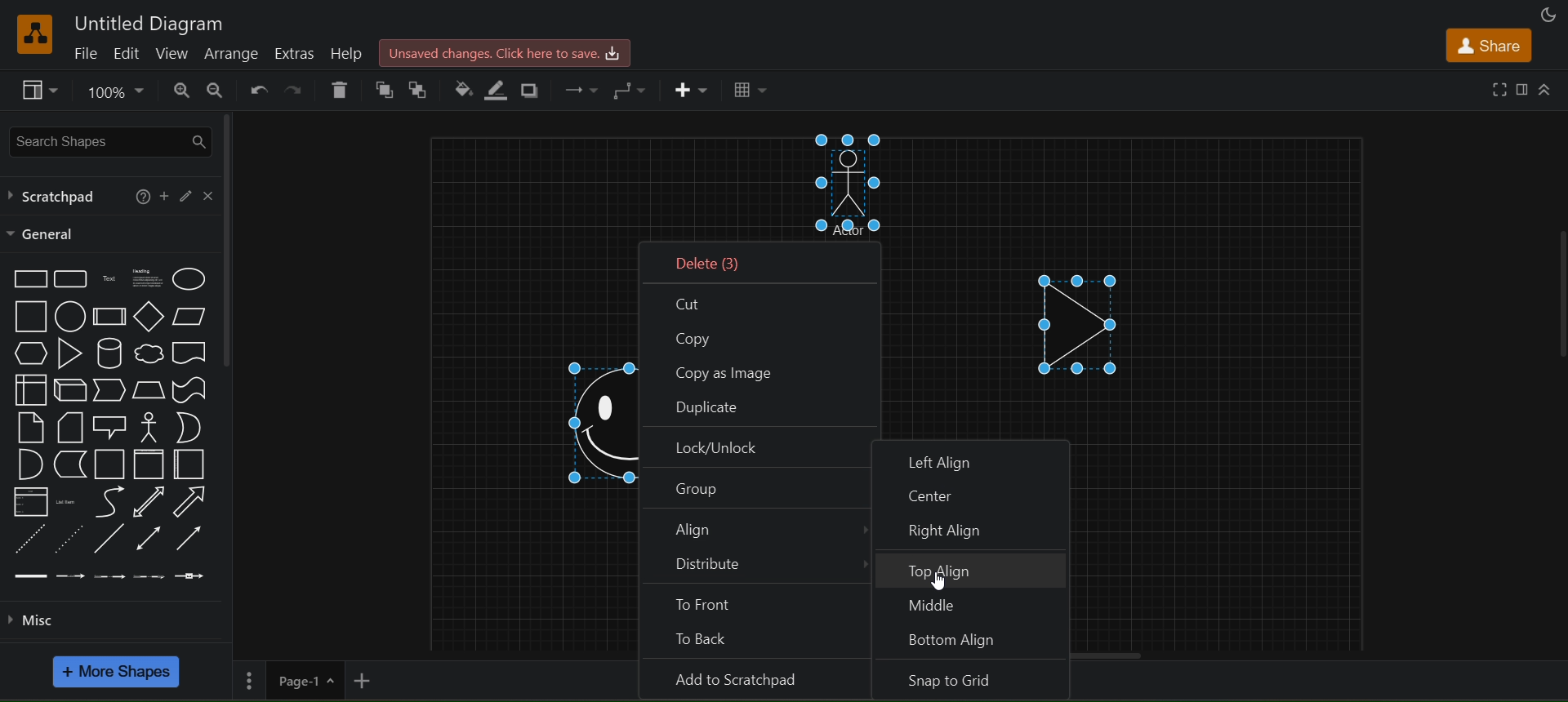 The width and height of the screenshot is (1568, 702). Describe the element at coordinates (185, 427) in the screenshot. I see `or` at that location.